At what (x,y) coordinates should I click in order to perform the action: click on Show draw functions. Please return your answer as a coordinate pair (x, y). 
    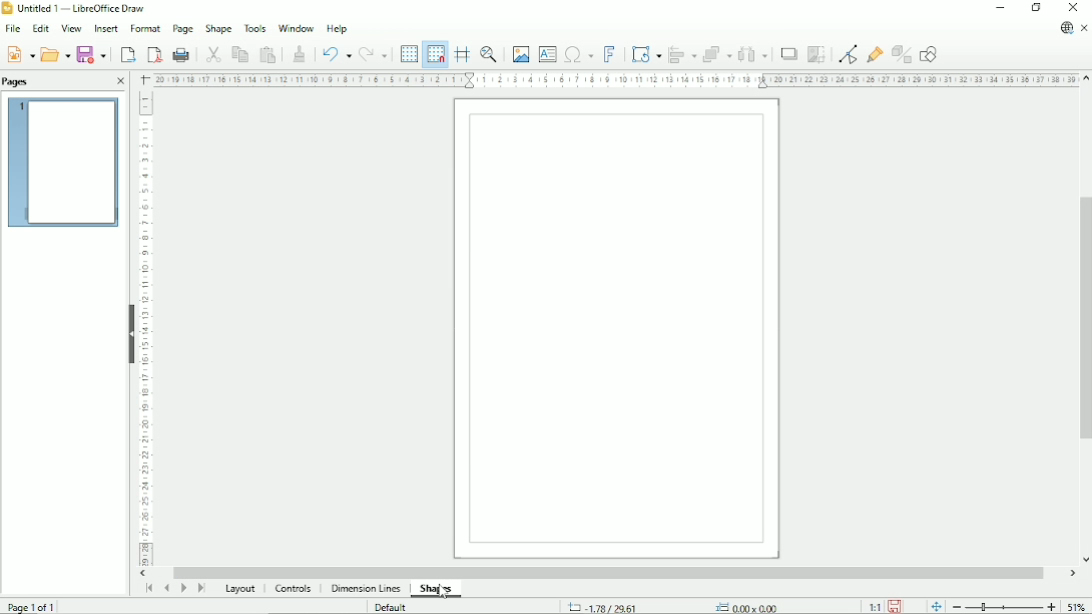
    Looking at the image, I should click on (930, 54).